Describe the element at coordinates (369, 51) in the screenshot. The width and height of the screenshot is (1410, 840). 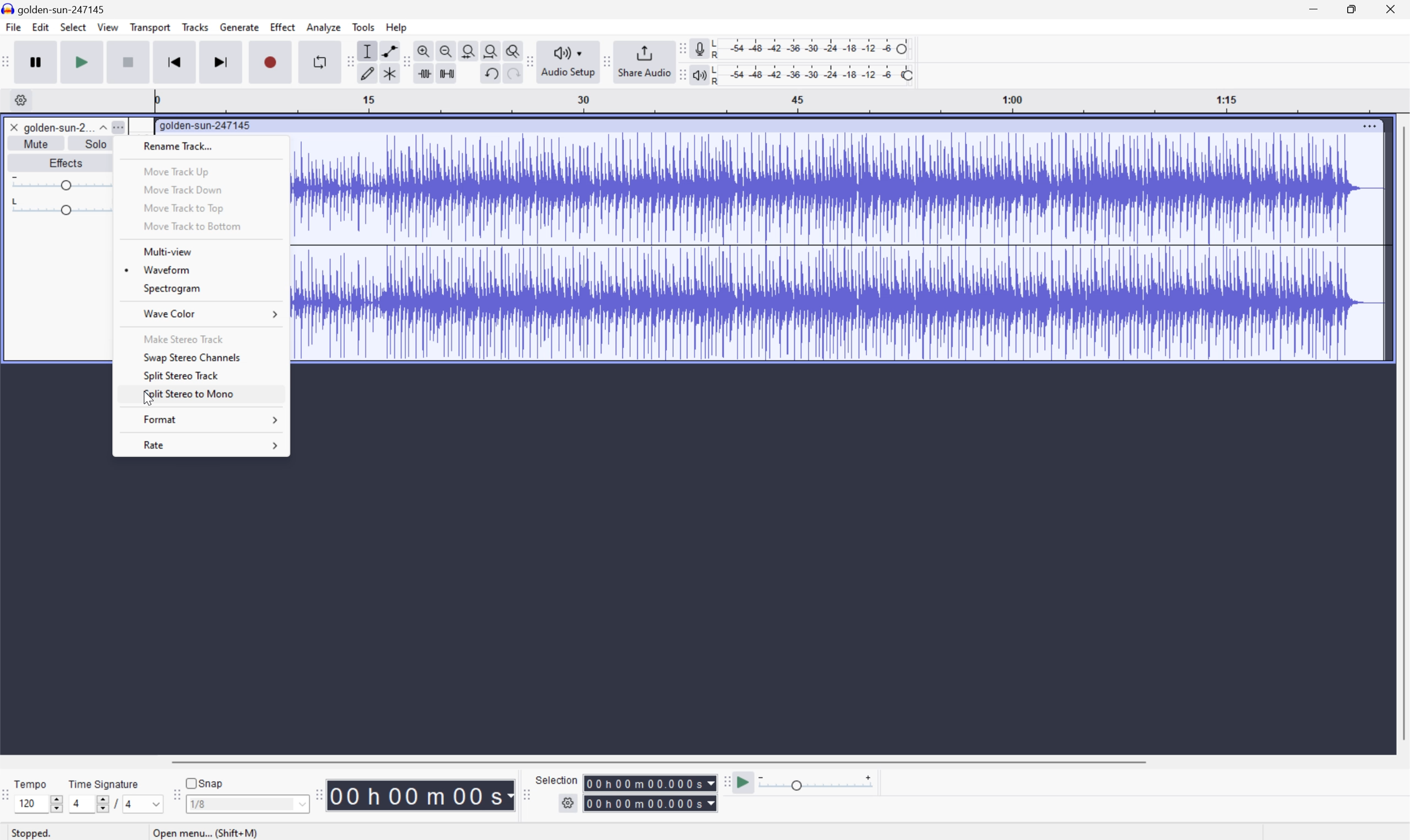
I see `Selection tool` at that location.